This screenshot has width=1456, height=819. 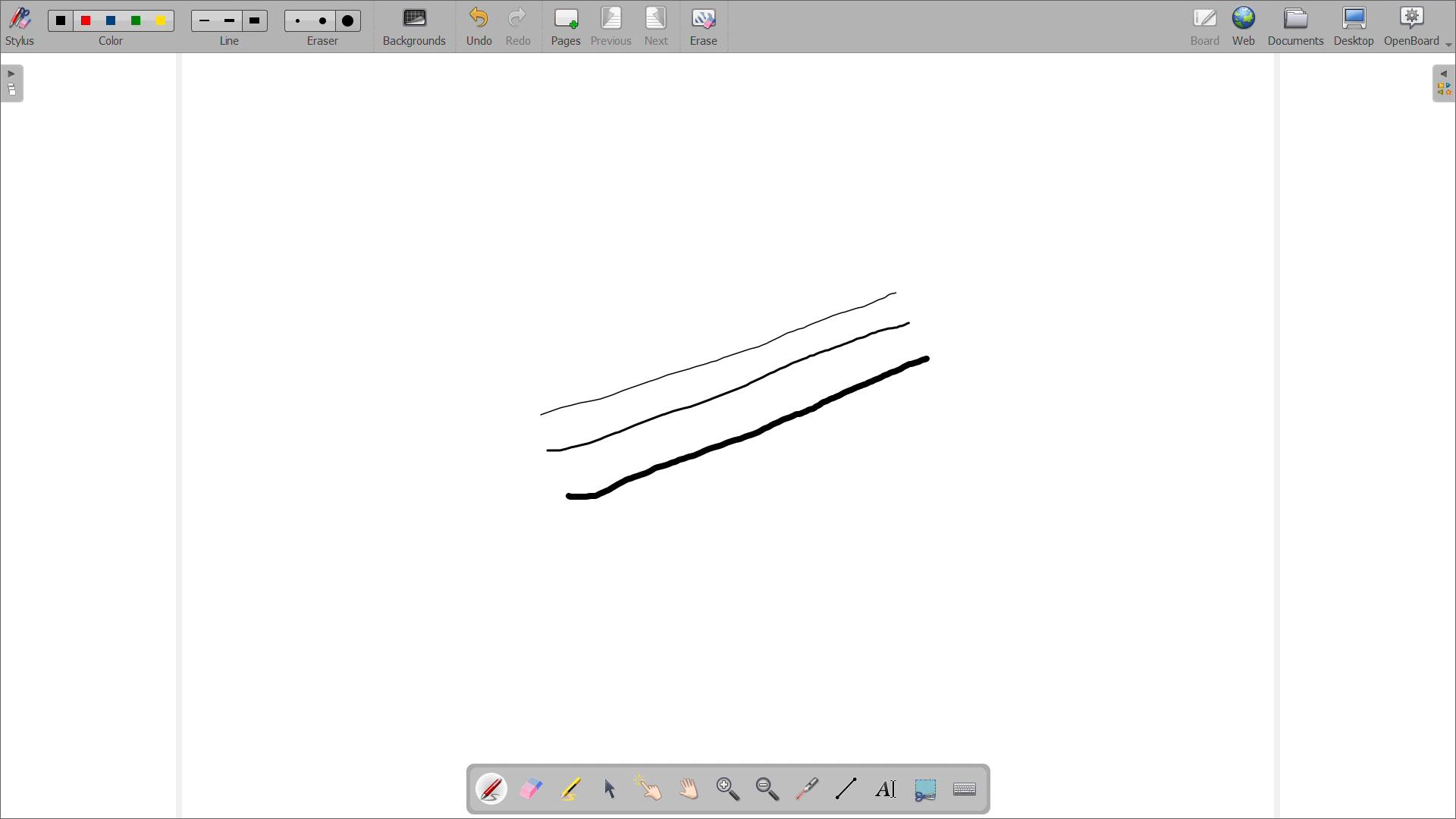 What do you see at coordinates (571, 789) in the screenshot?
I see `highlights` at bounding box center [571, 789].